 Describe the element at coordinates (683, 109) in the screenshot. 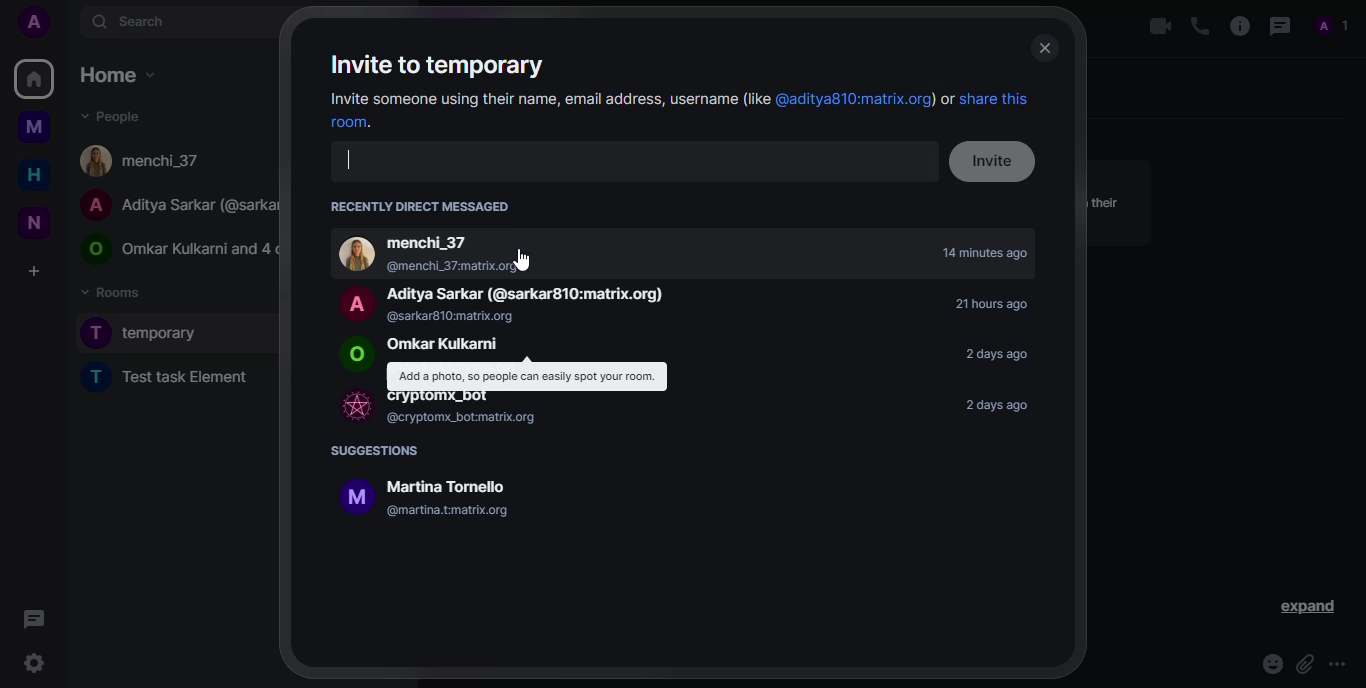

I see `Invite someone using their name, email address, username (like @aditya810:matrix.org) or share this room.` at that location.